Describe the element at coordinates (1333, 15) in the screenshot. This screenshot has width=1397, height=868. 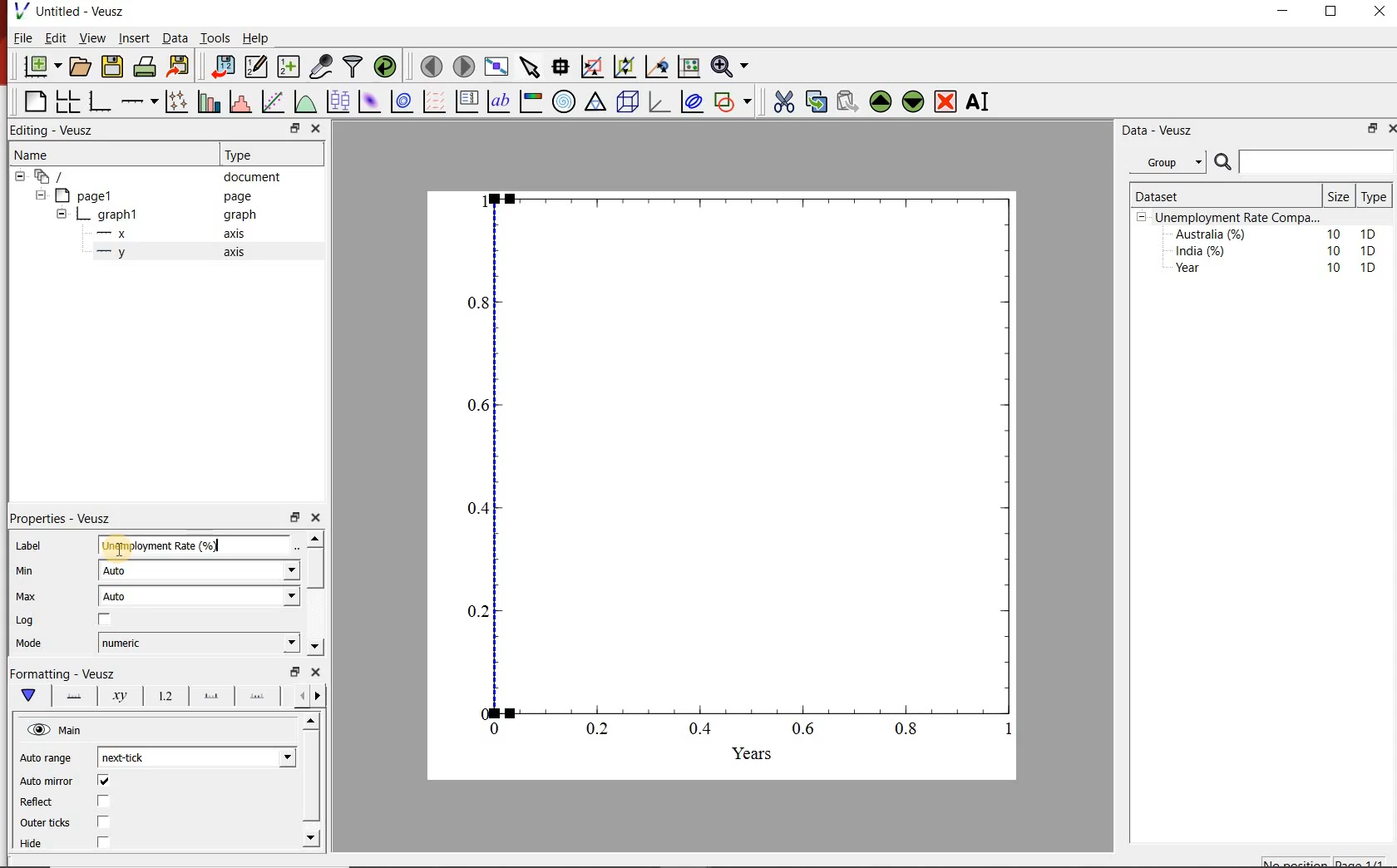
I see `maximise` at that location.